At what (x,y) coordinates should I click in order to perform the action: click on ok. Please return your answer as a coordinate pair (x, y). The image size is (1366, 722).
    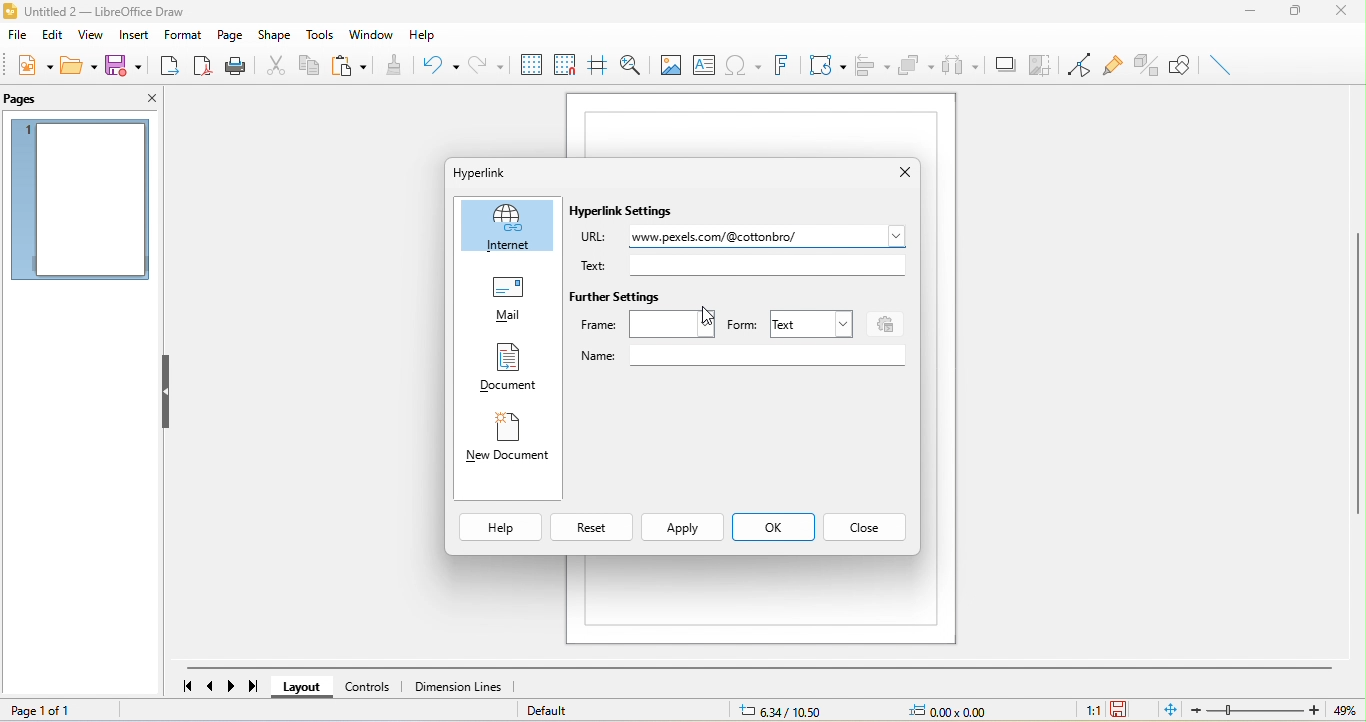
    Looking at the image, I should click on (775, 526).